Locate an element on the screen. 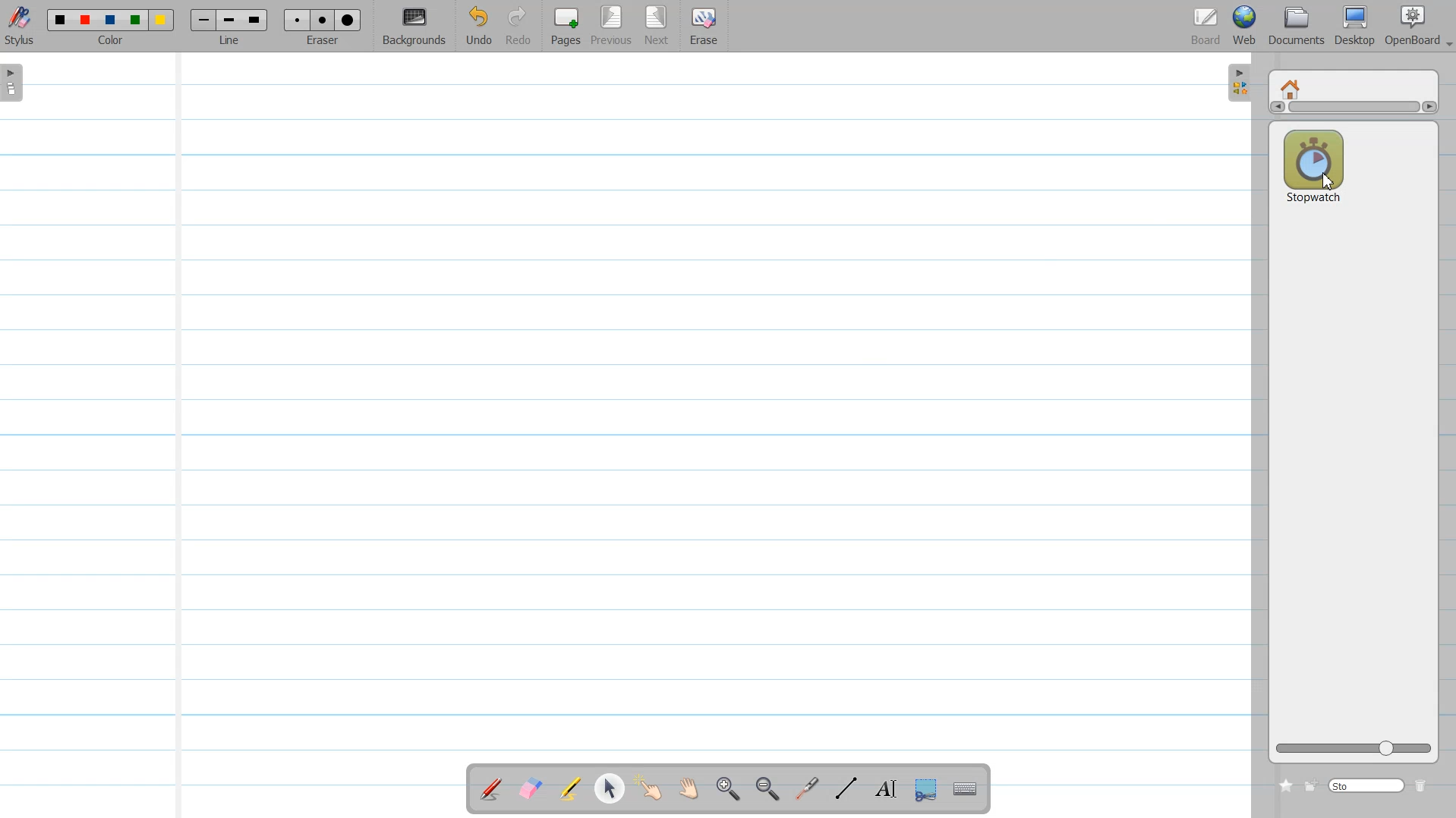  Interact with Item is located at coordinates (652, 788).